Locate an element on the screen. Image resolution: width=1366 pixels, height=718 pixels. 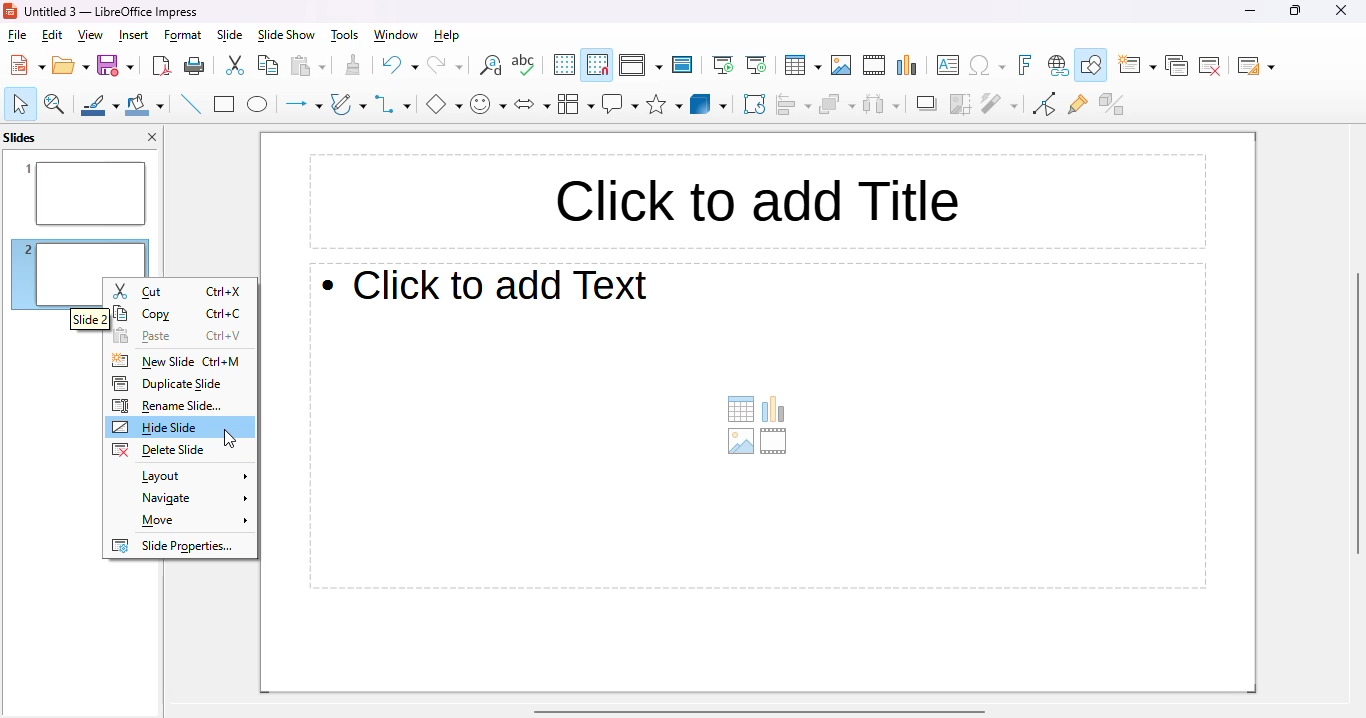
delete slide is located at coordinates (1210, 66).